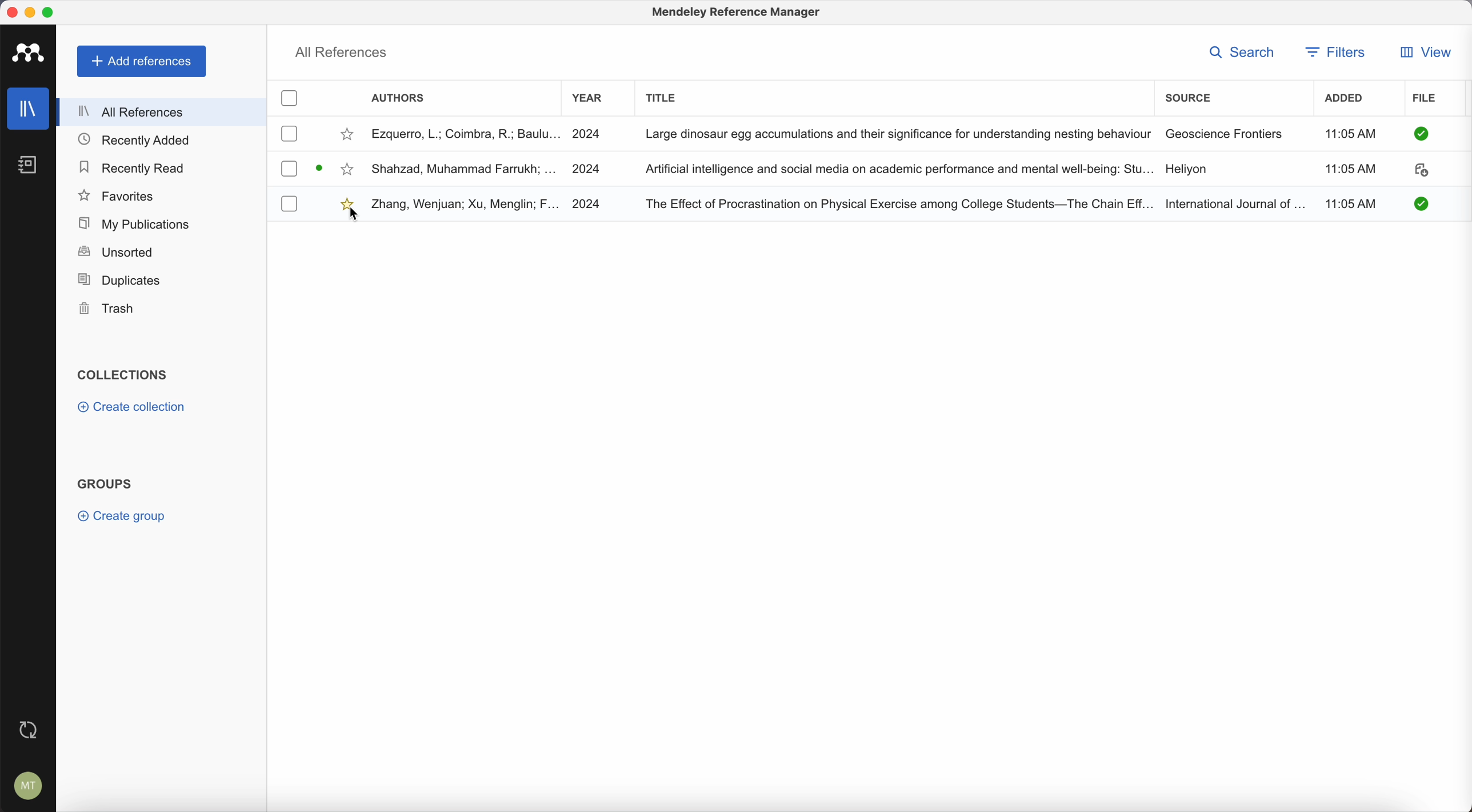 This screenshot has height=812, width=1472. Describe the element at coordinates (30, 110) in the screenshot. I see `library` at that location.